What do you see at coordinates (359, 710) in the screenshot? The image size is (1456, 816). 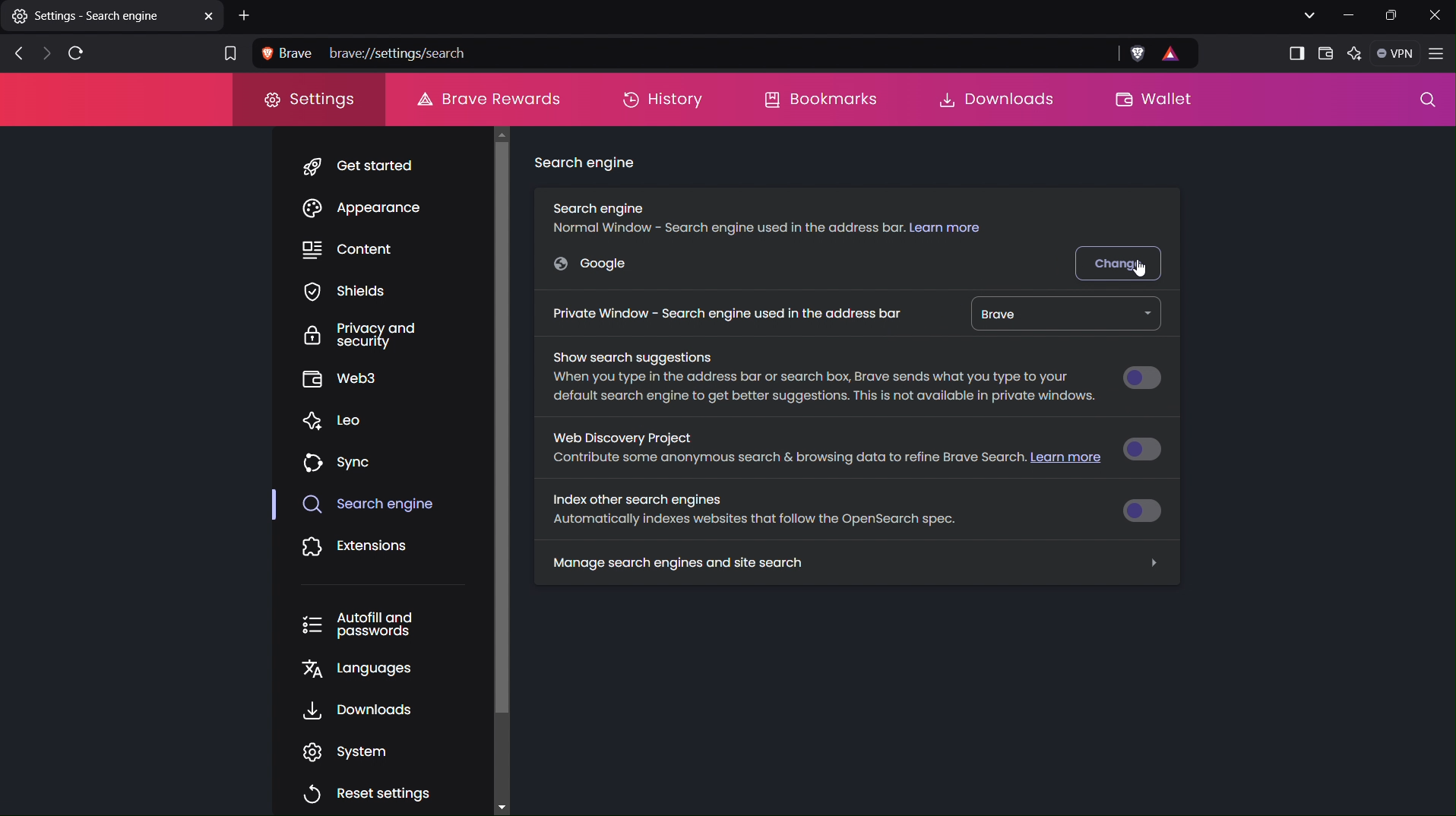 I see `Downloads` at bounding box center [359, 710].